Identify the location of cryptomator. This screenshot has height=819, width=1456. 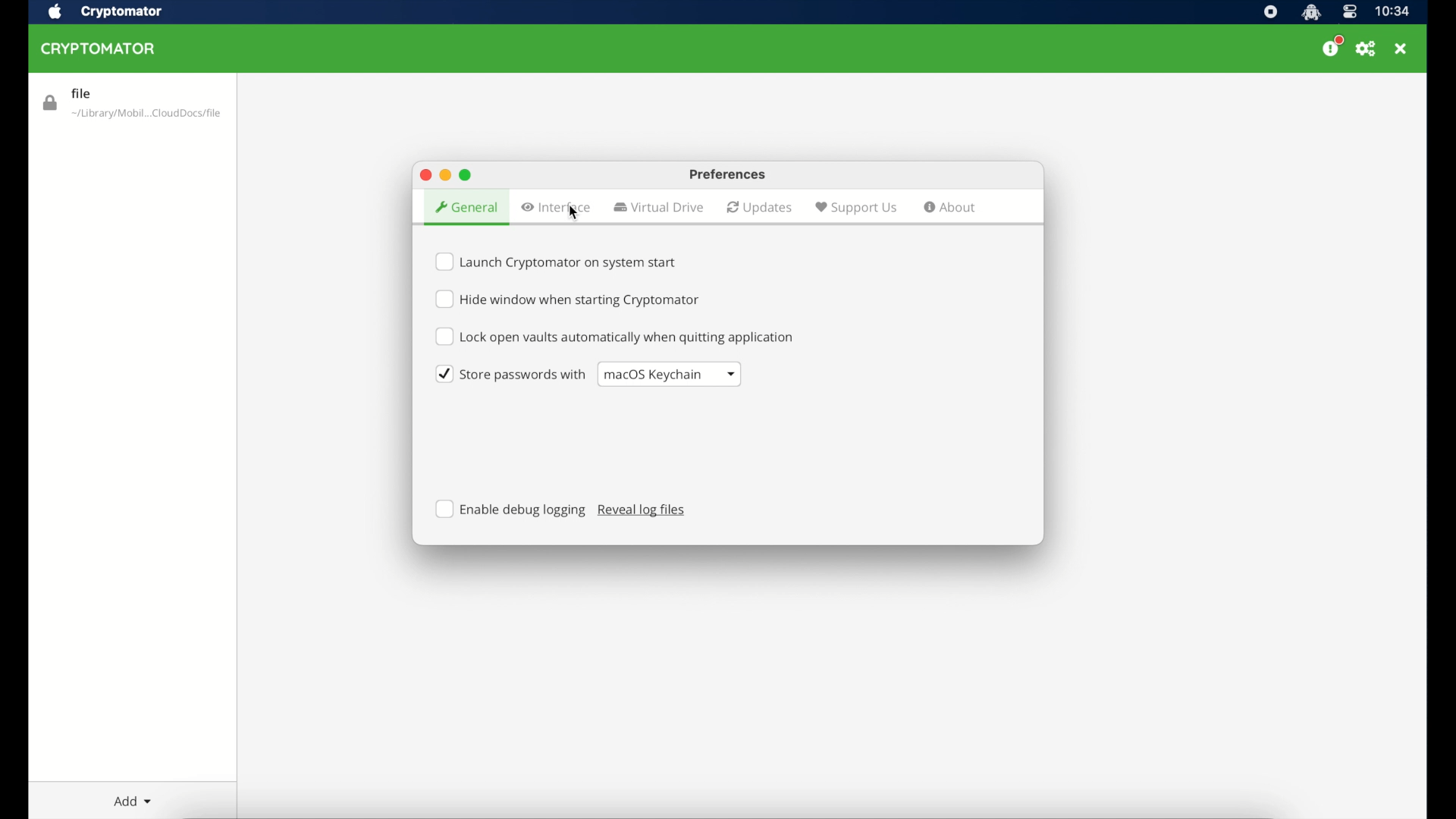
(99, 49).